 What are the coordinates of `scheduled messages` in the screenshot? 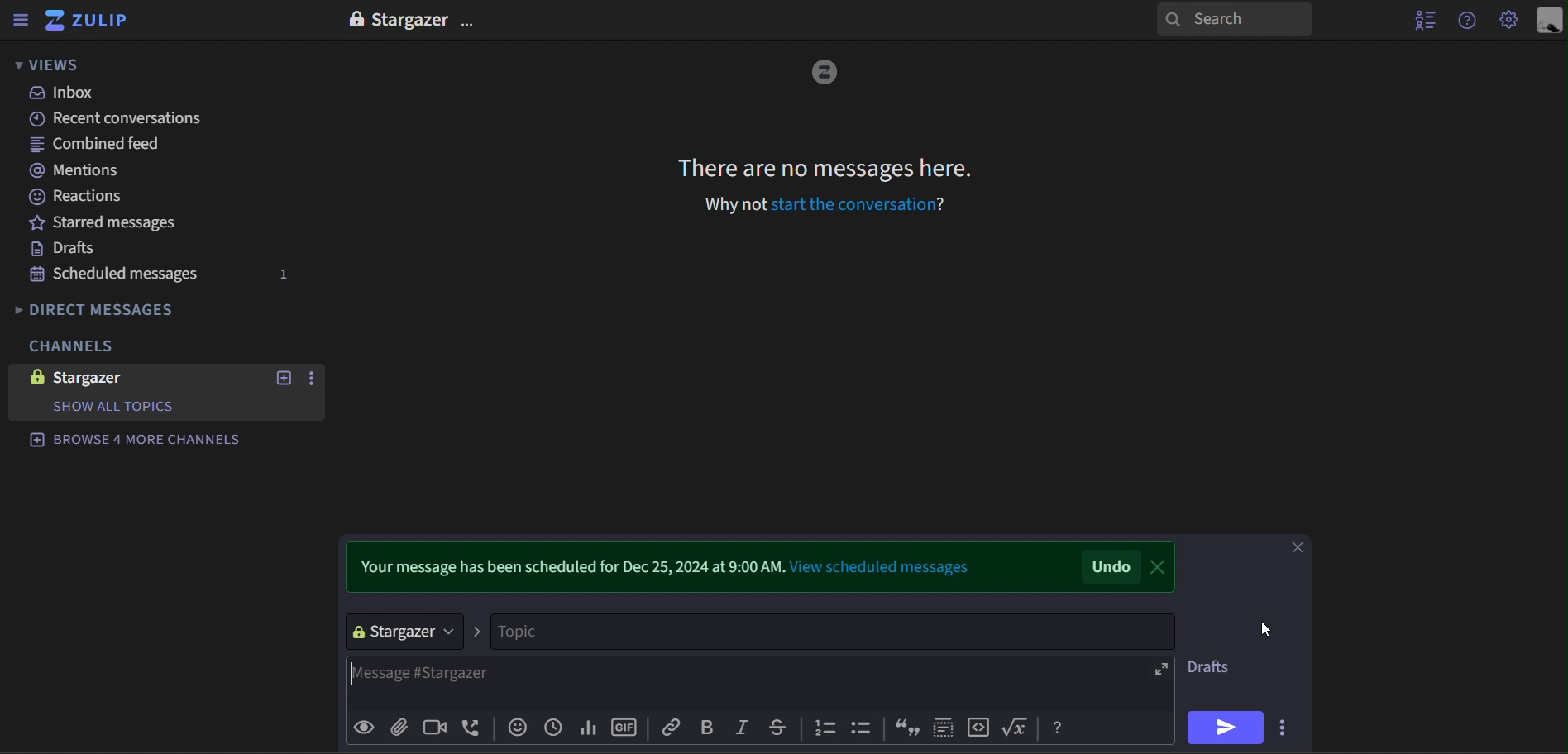 It's located at (165, 275).